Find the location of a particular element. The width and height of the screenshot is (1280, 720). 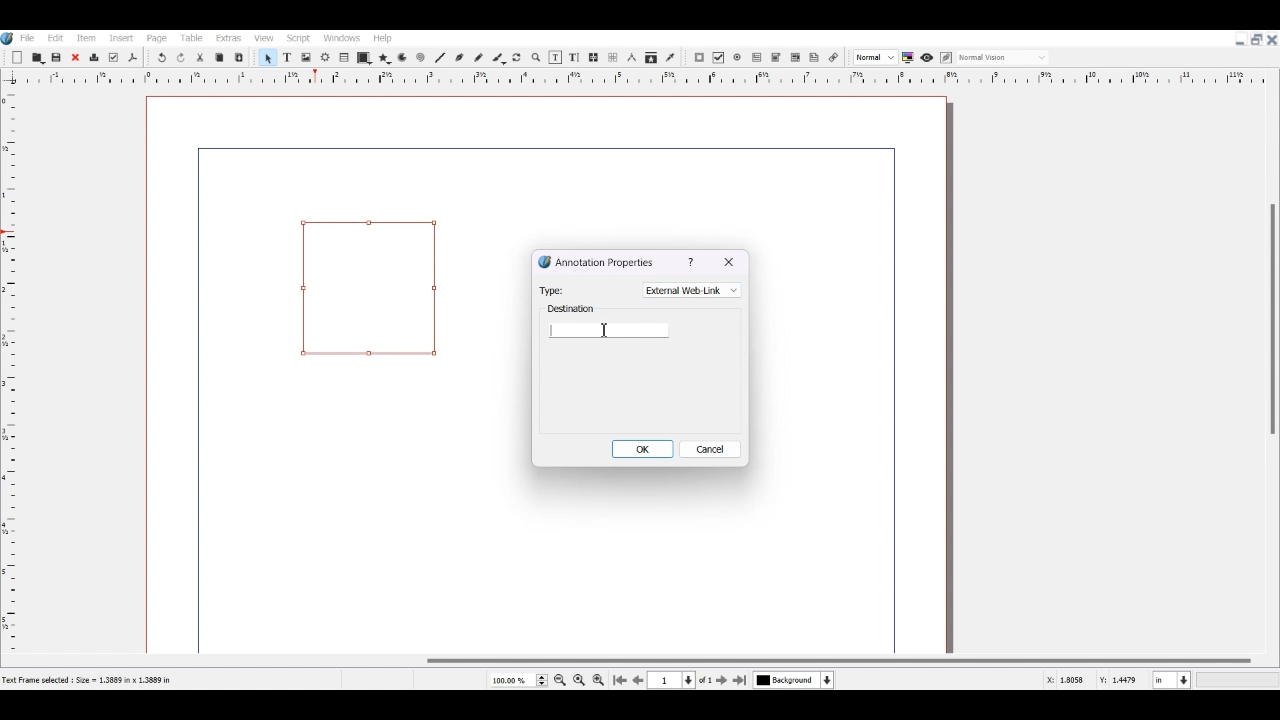

Select current Layer is located at coordinates (796, 681).